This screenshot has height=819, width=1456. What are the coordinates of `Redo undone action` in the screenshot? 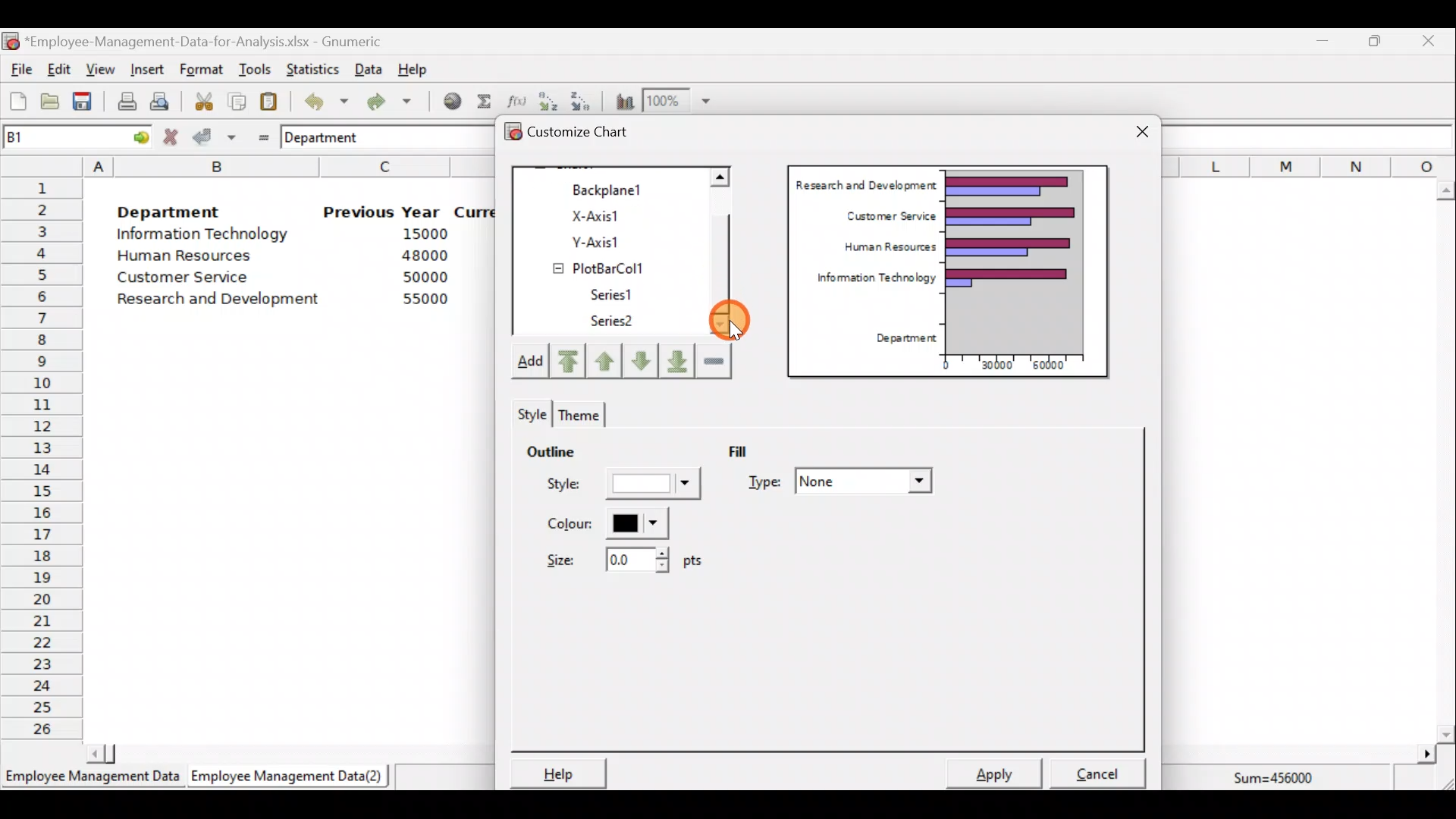 It's located at (386, 102).